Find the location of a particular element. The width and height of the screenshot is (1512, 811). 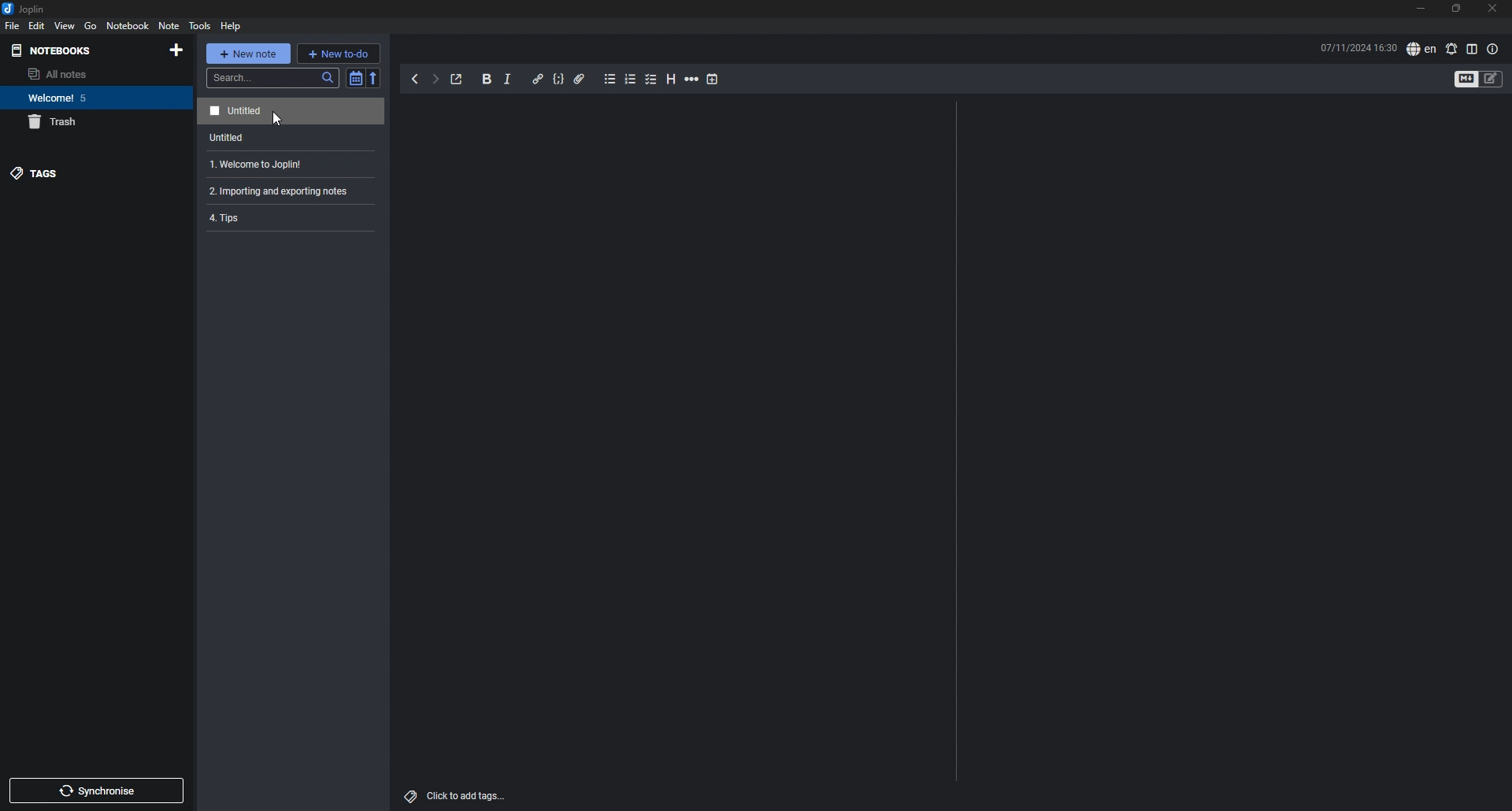

reverse sort order is located at coordinates (375, 77).